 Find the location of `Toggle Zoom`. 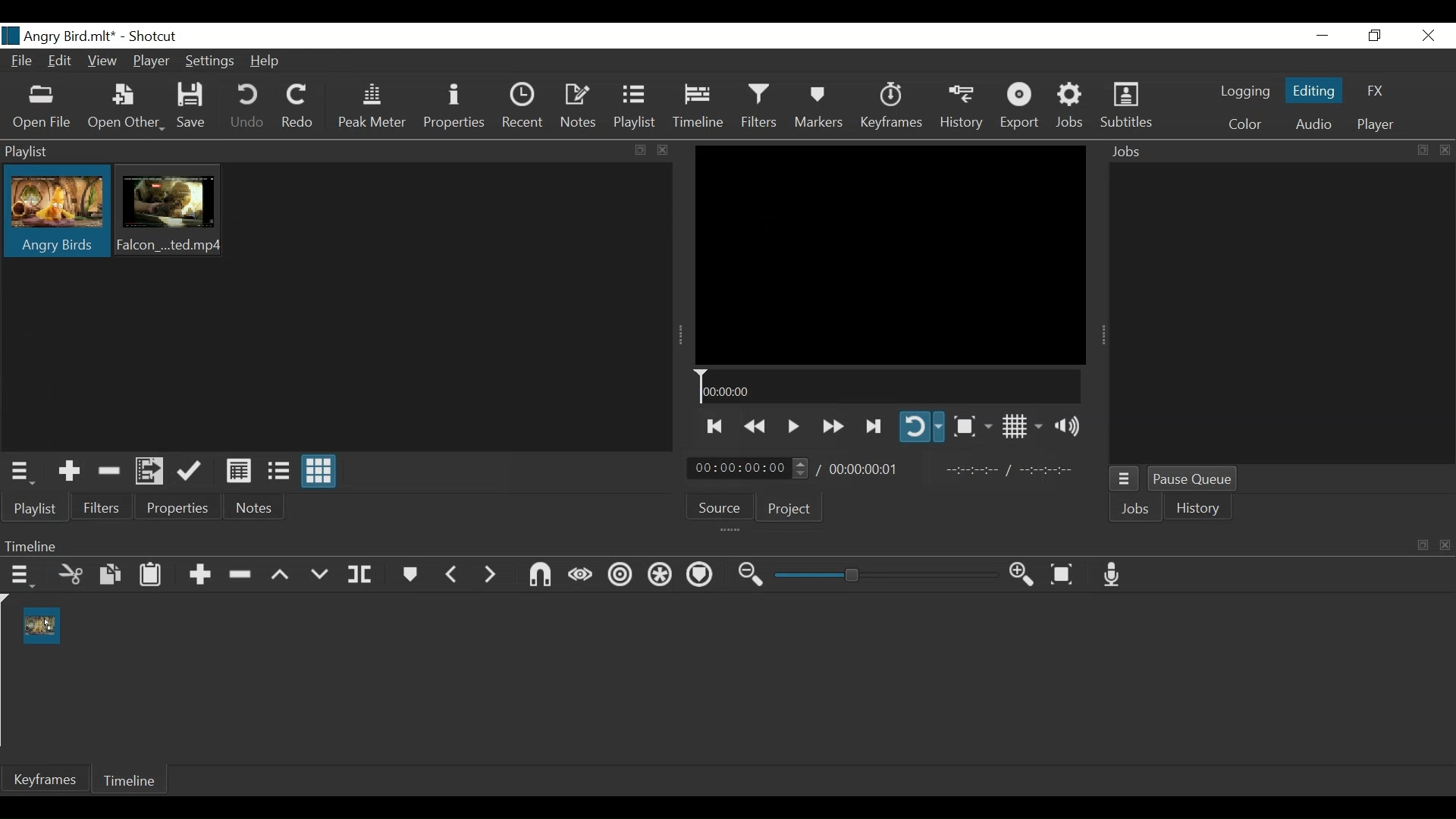

Toggle Zoom is located at coordinates (972, 426).